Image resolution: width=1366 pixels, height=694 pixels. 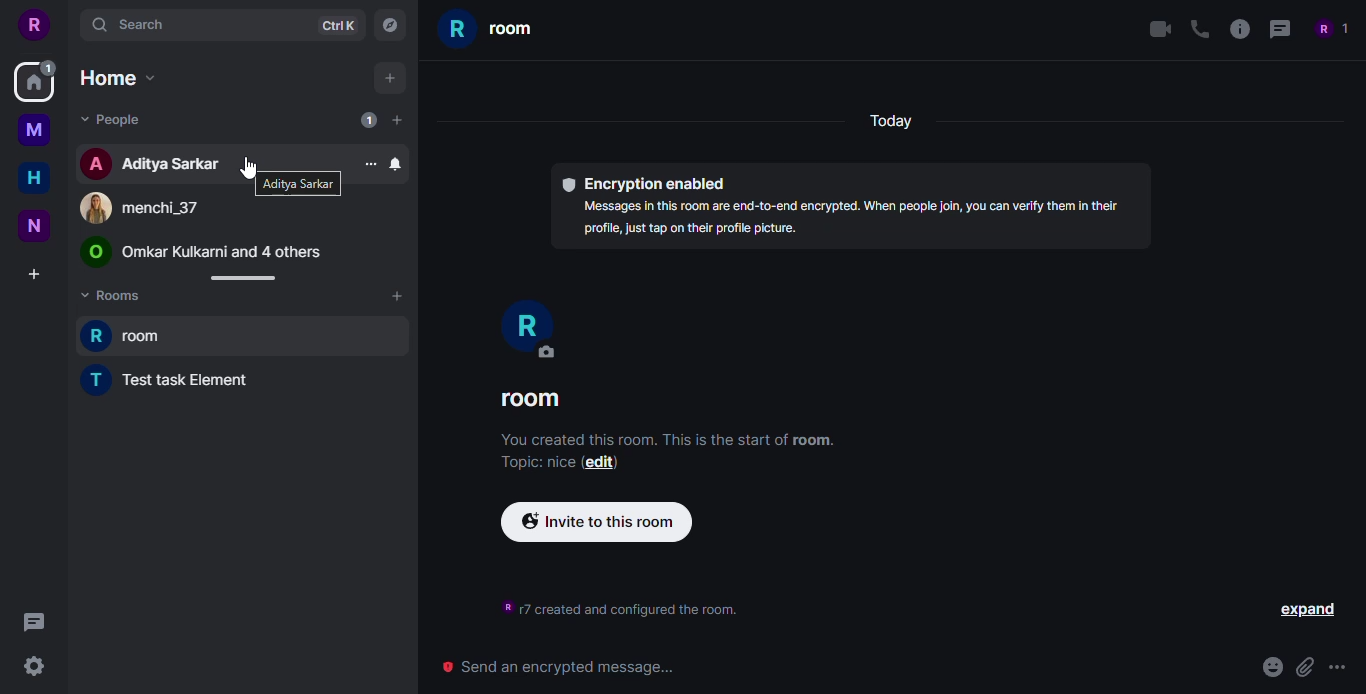 What do you see at coordinates (527, 329) in the screenshot?
I see `profile pic` at bounding box center [527, 329].